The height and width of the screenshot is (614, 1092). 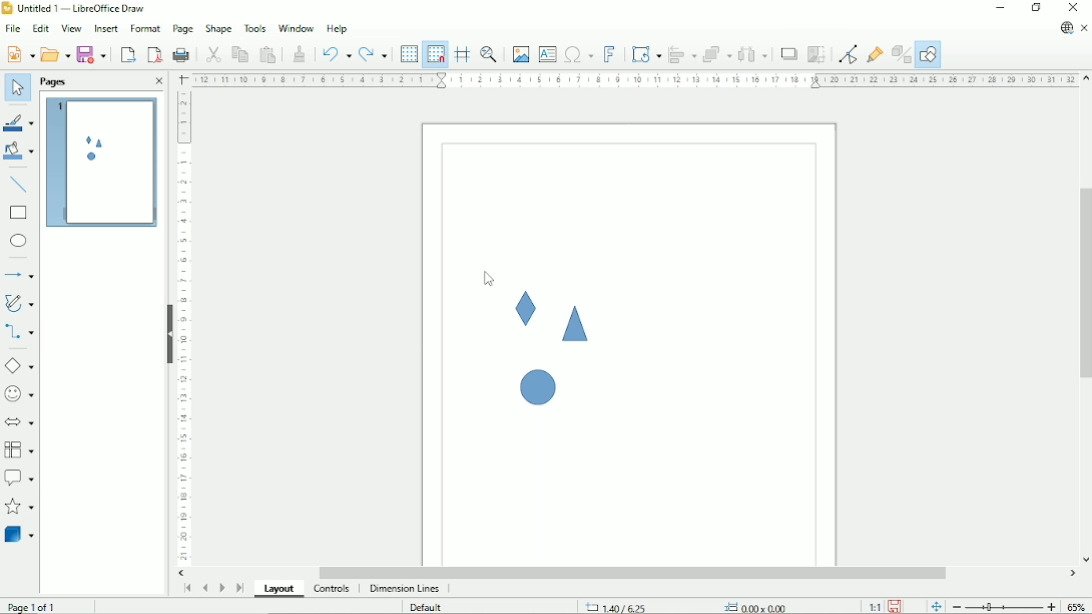 I want to click on Select, so click(x=17, y=89).